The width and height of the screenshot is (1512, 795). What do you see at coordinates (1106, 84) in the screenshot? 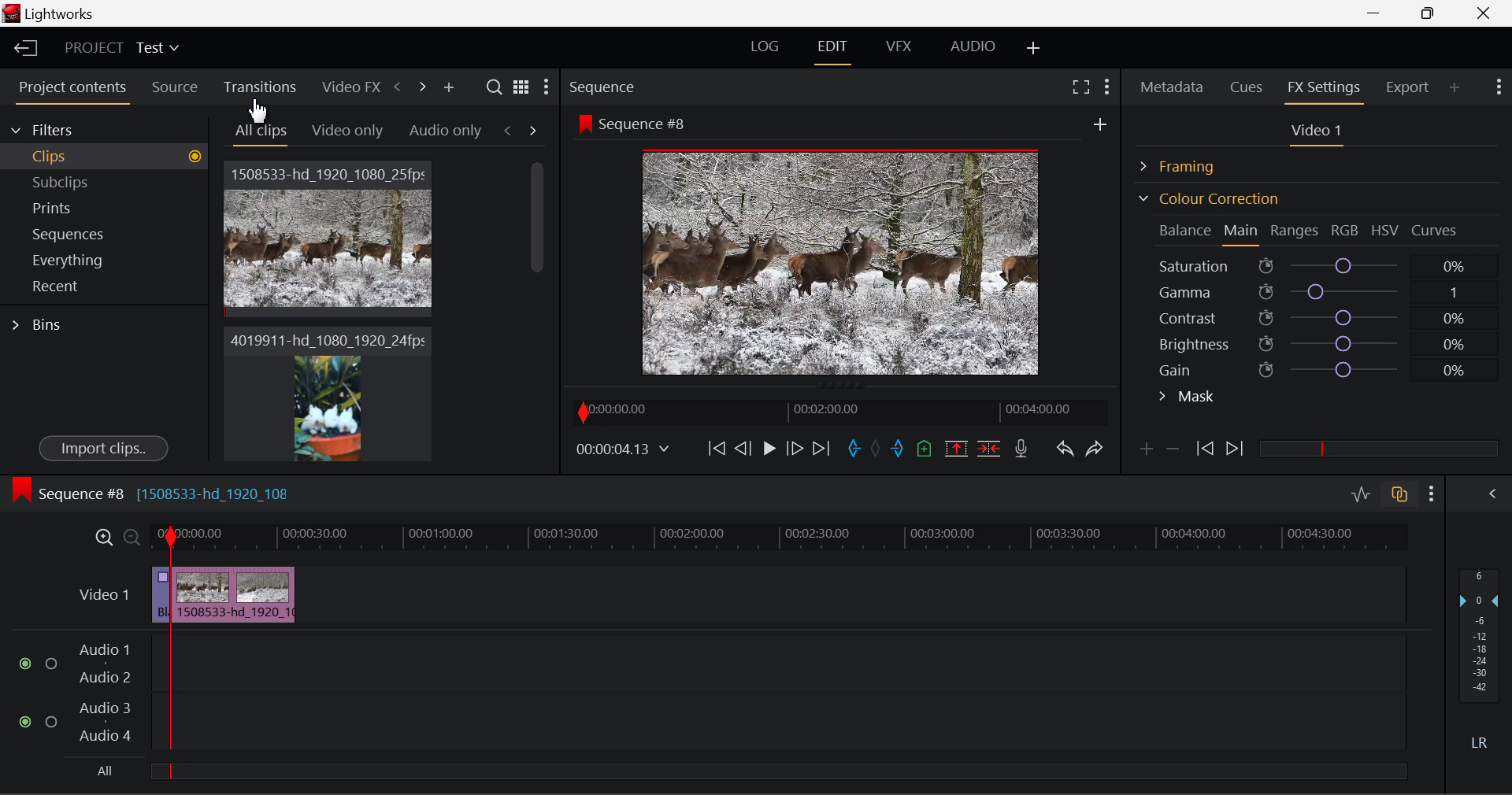
I see `Show Settings` at bounding box center [1106, 84].